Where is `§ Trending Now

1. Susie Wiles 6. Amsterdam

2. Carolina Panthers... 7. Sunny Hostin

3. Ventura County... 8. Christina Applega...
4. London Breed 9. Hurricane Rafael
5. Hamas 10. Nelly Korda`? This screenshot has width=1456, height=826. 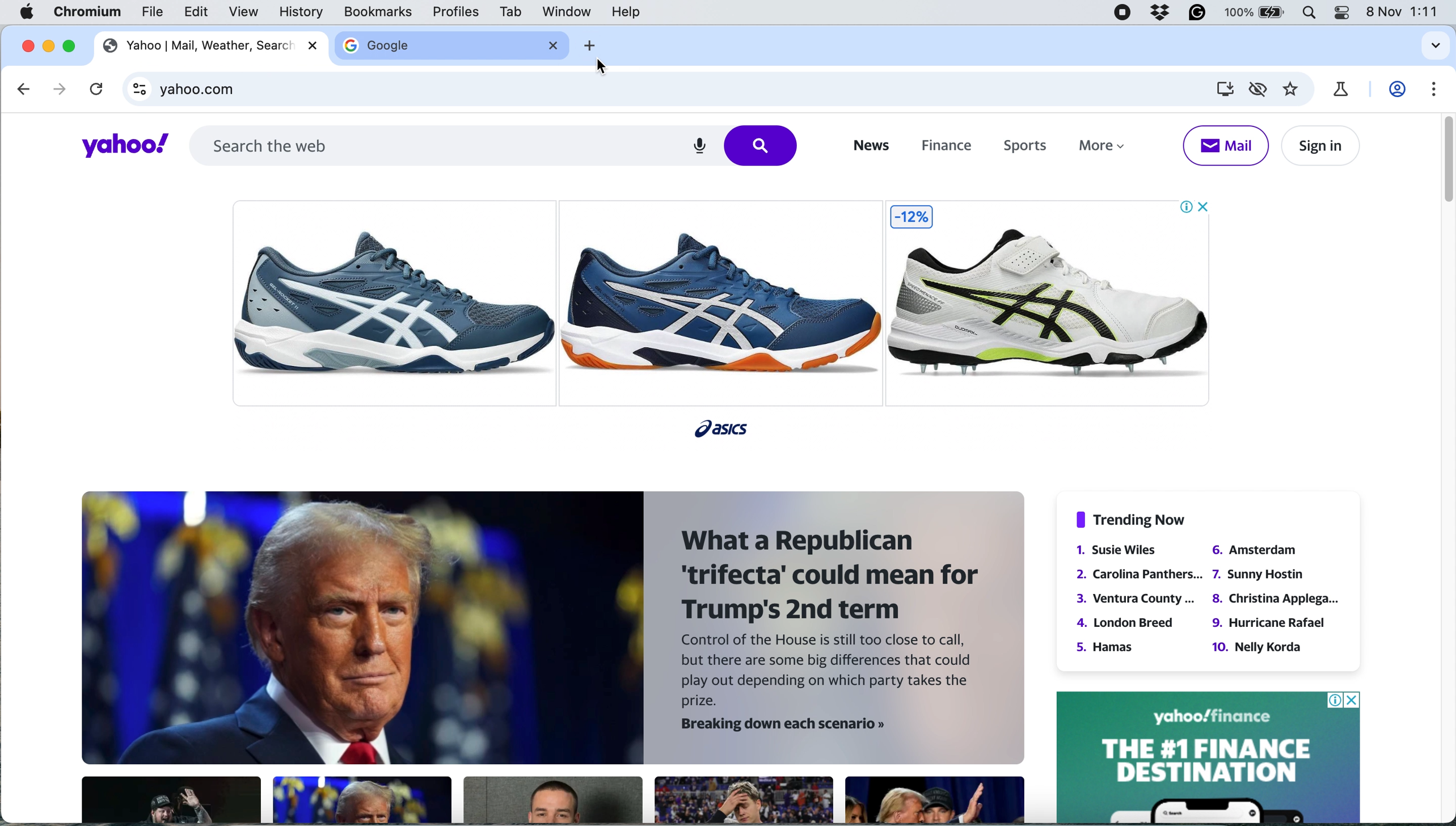
§ Trending Now

1. Susie Wiles 6. Amsterdam

2. Carolina Panthers... 7. Sunny Hostin

3. Ventura County... 8. Christina Applega...
4. London Breed 9. Hurricane Rafael
5. Hamas 10. Nelly Korda is located at coordinates (1207, 583).